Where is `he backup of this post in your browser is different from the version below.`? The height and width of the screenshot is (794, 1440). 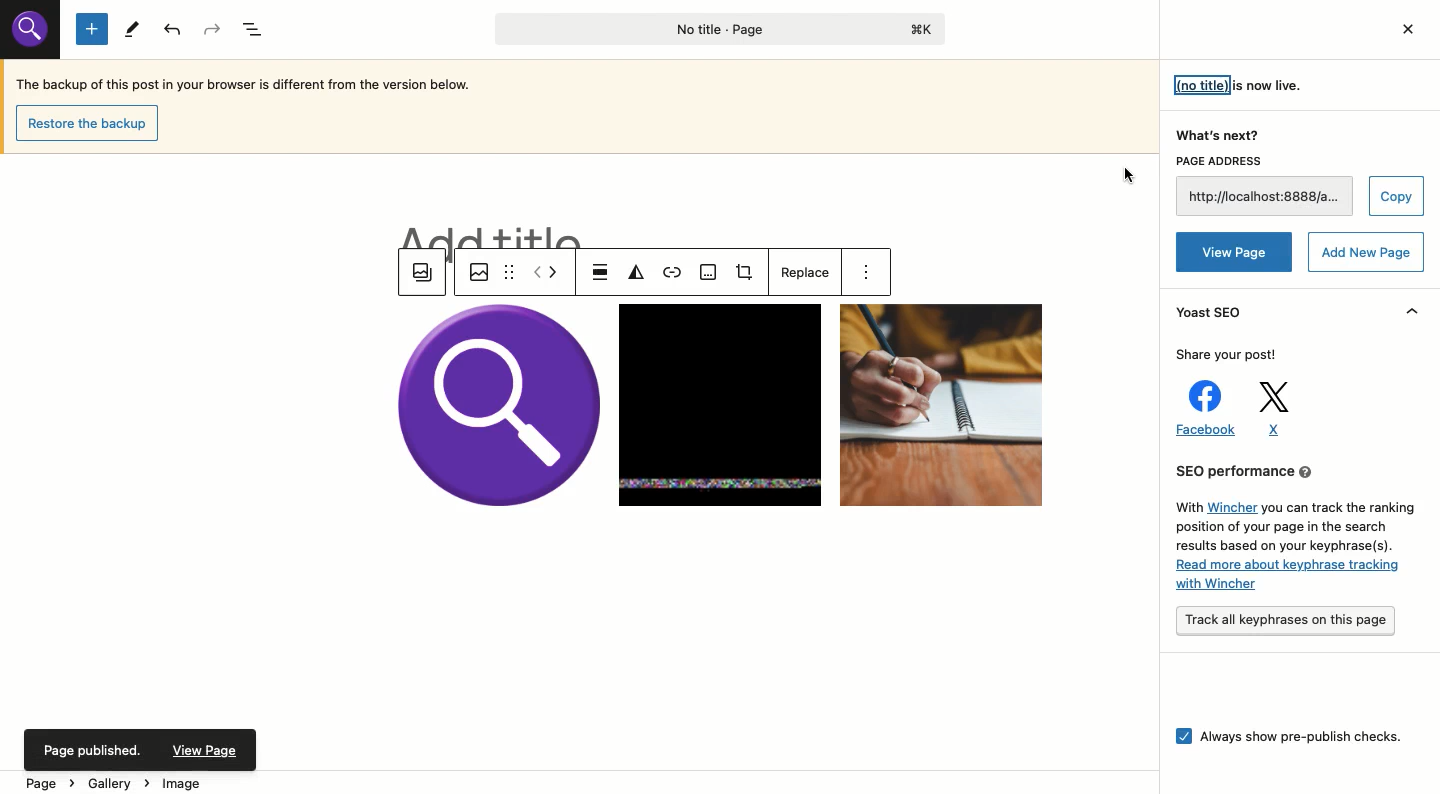
he backup of this post in your browser is different from the version below. is located at coordinates (258, 84).